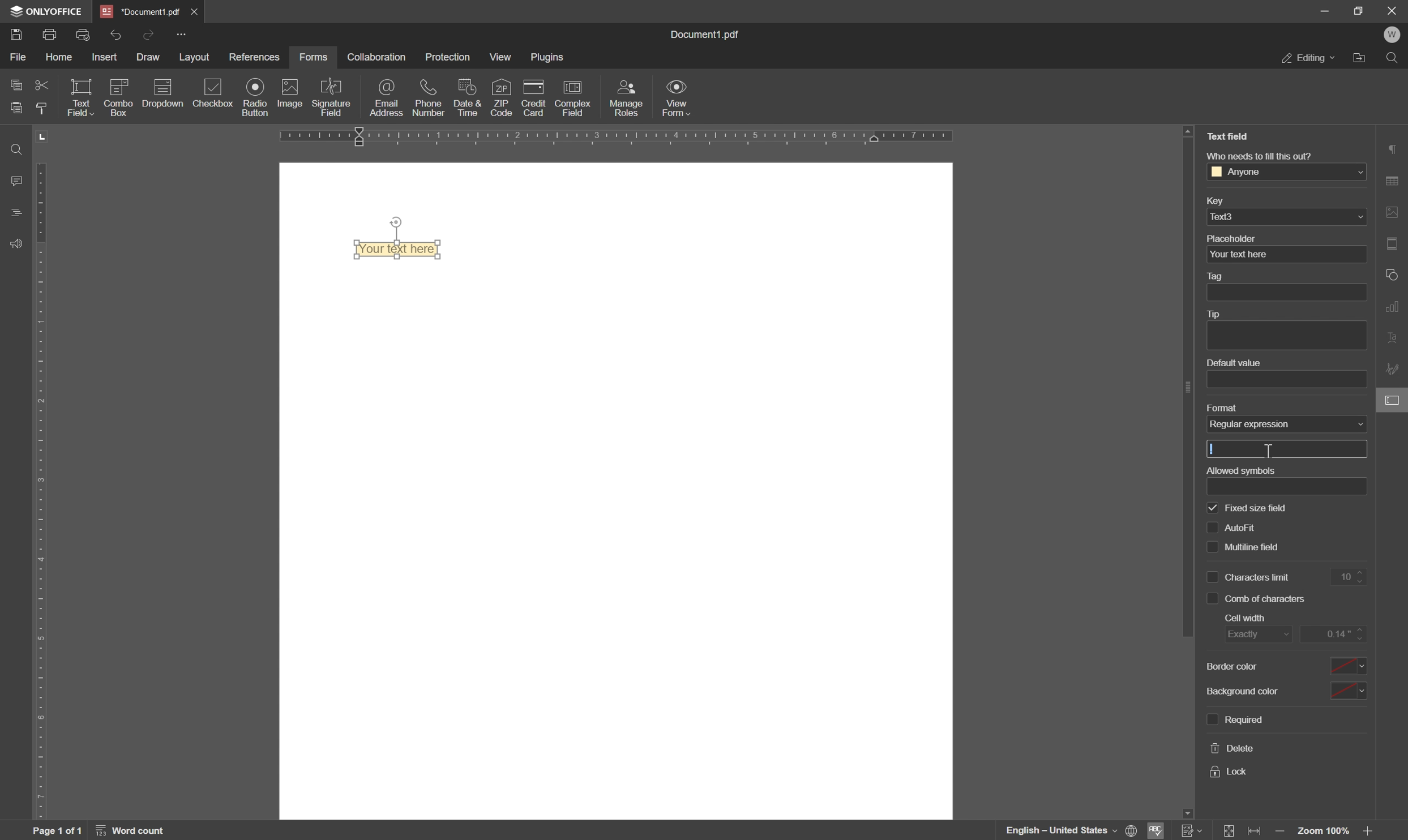 The width and height of the screenshot is (1408, 840). Describe the element at coordinates (1281, 423) in the screenshot. I see `none` at that location.